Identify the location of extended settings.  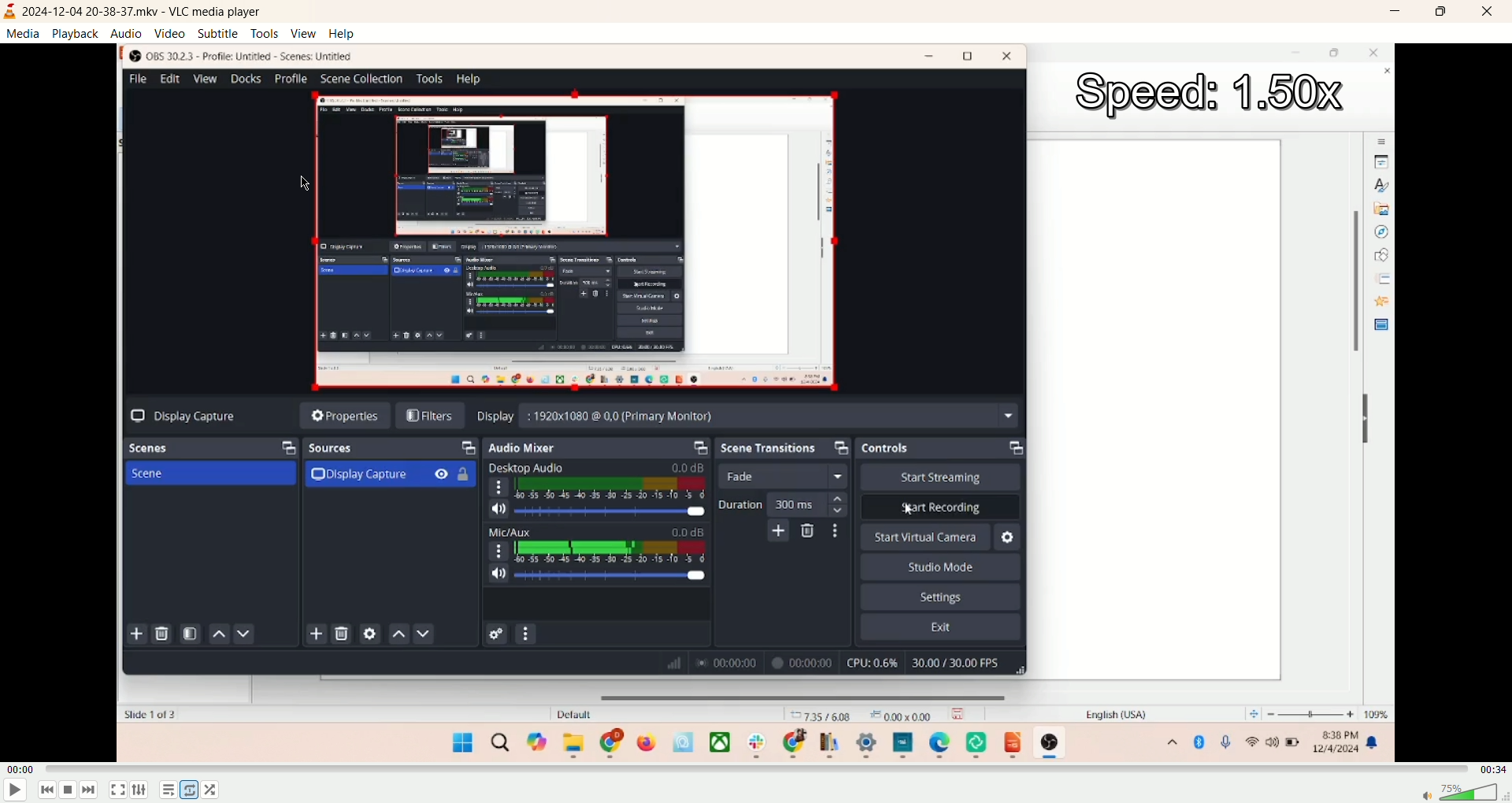
(140, 792).